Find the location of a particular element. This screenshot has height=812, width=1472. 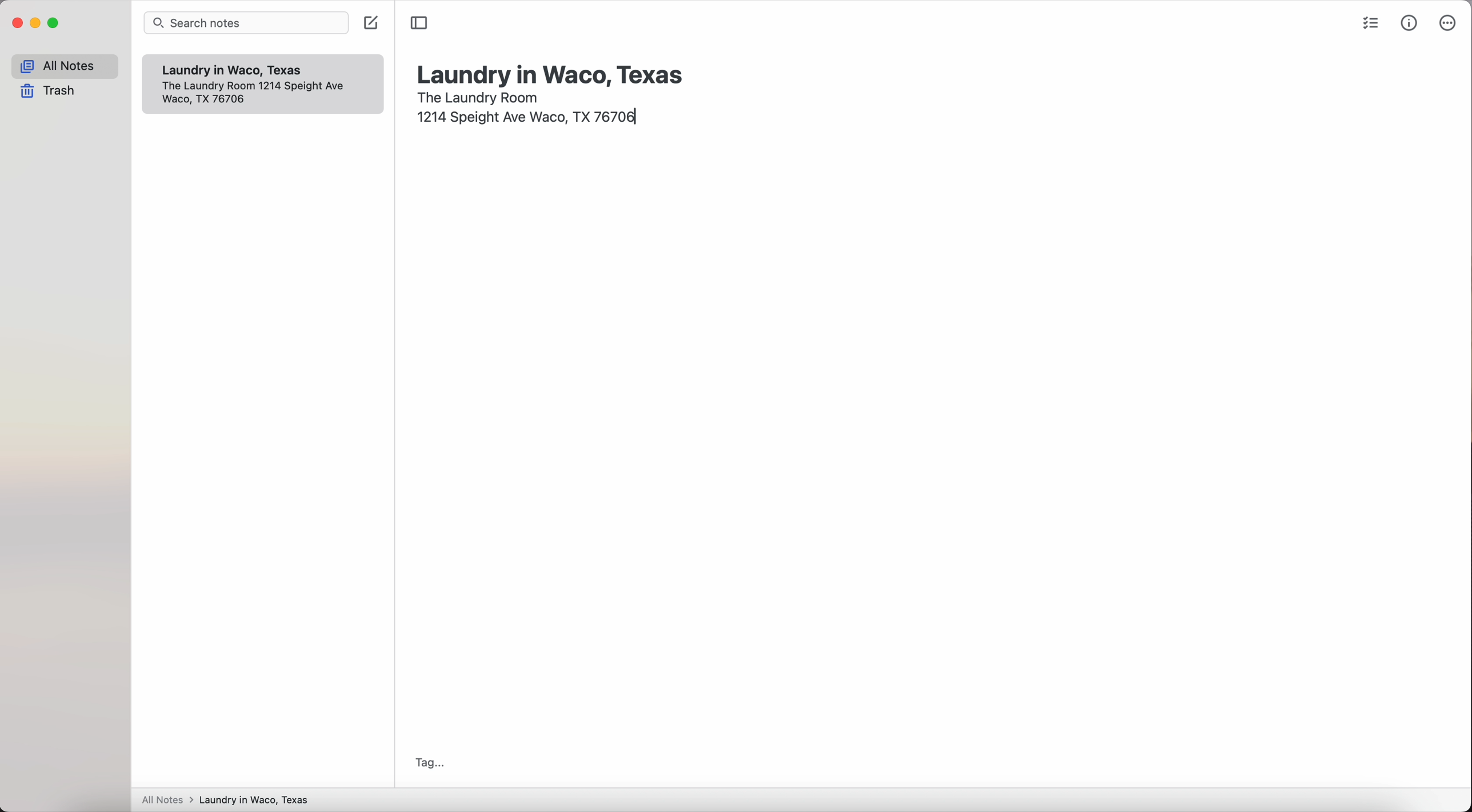

close app is located at coordinates (18, 23).